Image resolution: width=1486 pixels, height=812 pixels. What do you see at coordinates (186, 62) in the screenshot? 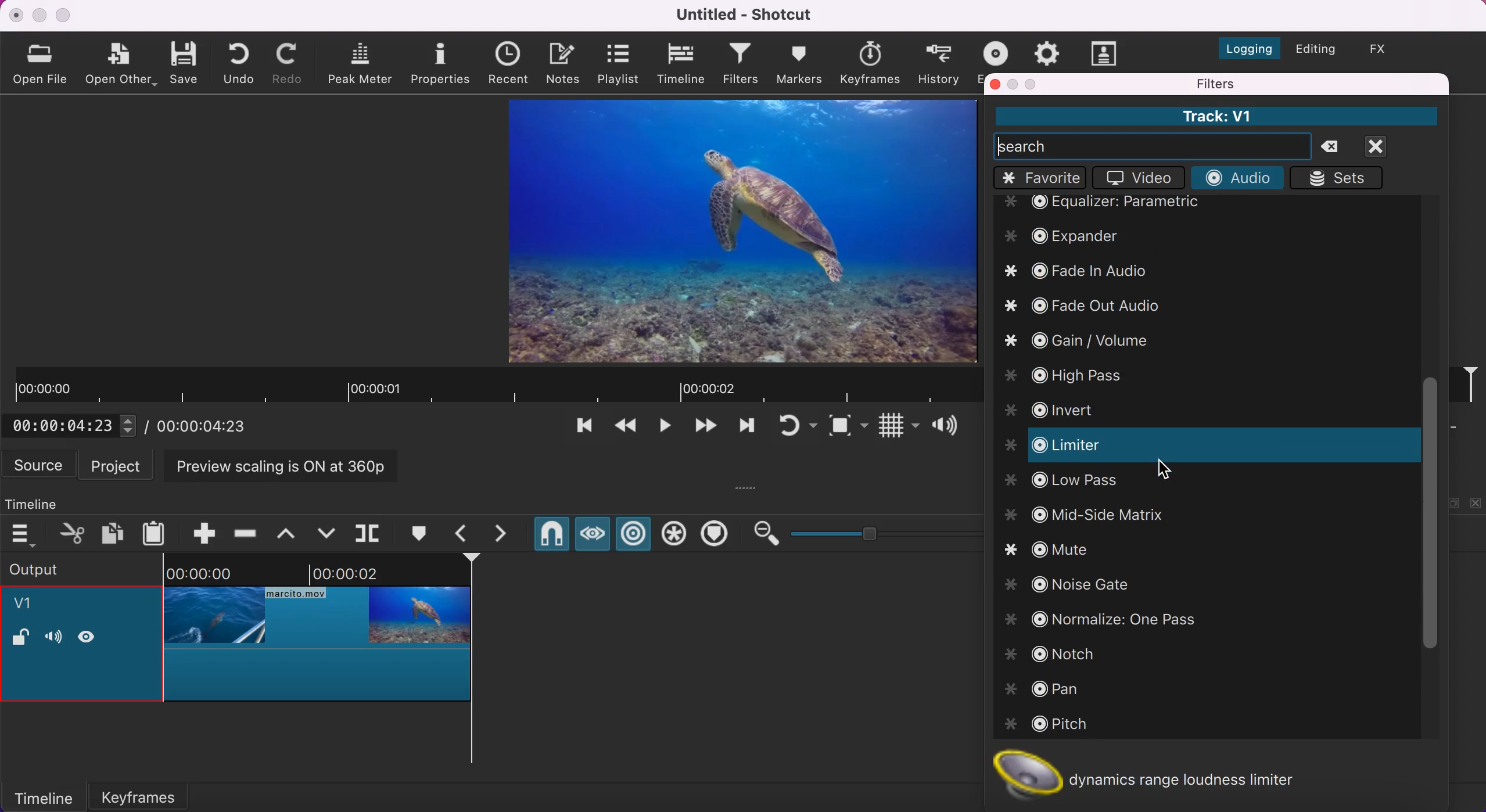
I see `save` at bounding box center [186, 62].